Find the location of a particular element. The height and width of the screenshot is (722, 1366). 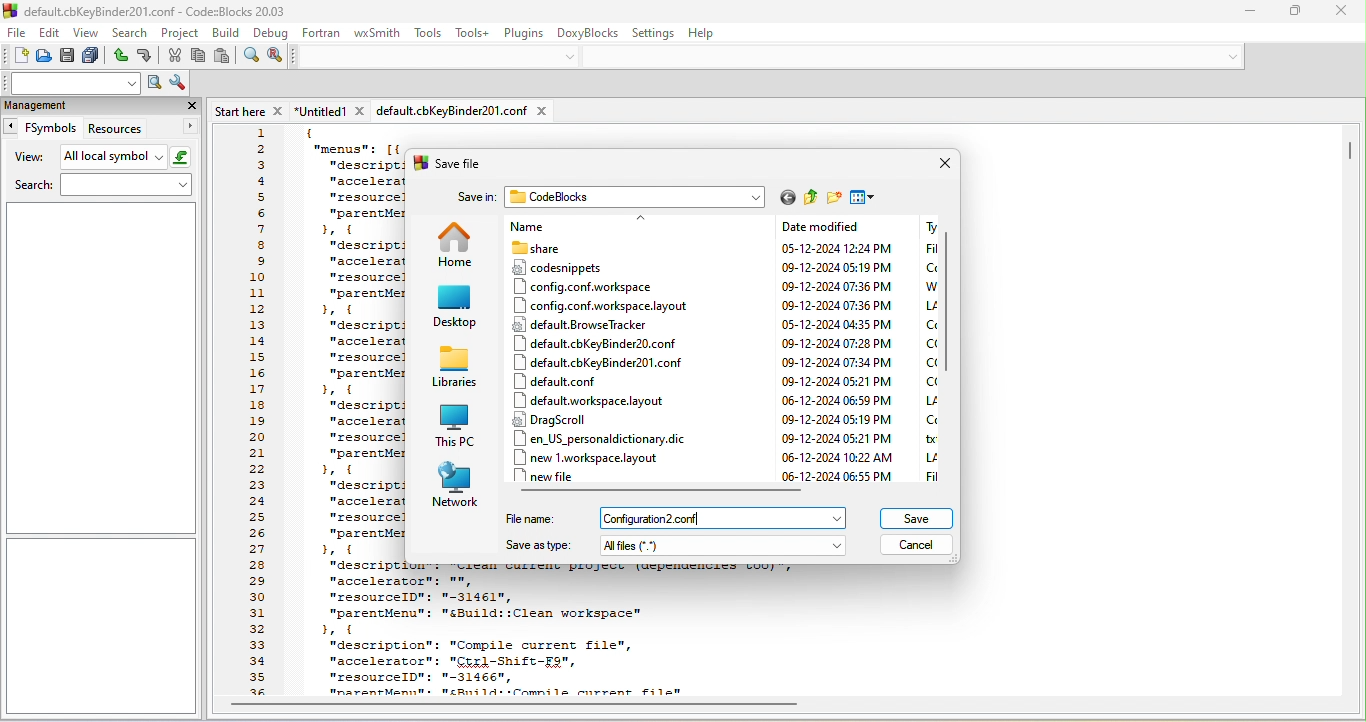

untitled1 is located at coordinates (330, 110).